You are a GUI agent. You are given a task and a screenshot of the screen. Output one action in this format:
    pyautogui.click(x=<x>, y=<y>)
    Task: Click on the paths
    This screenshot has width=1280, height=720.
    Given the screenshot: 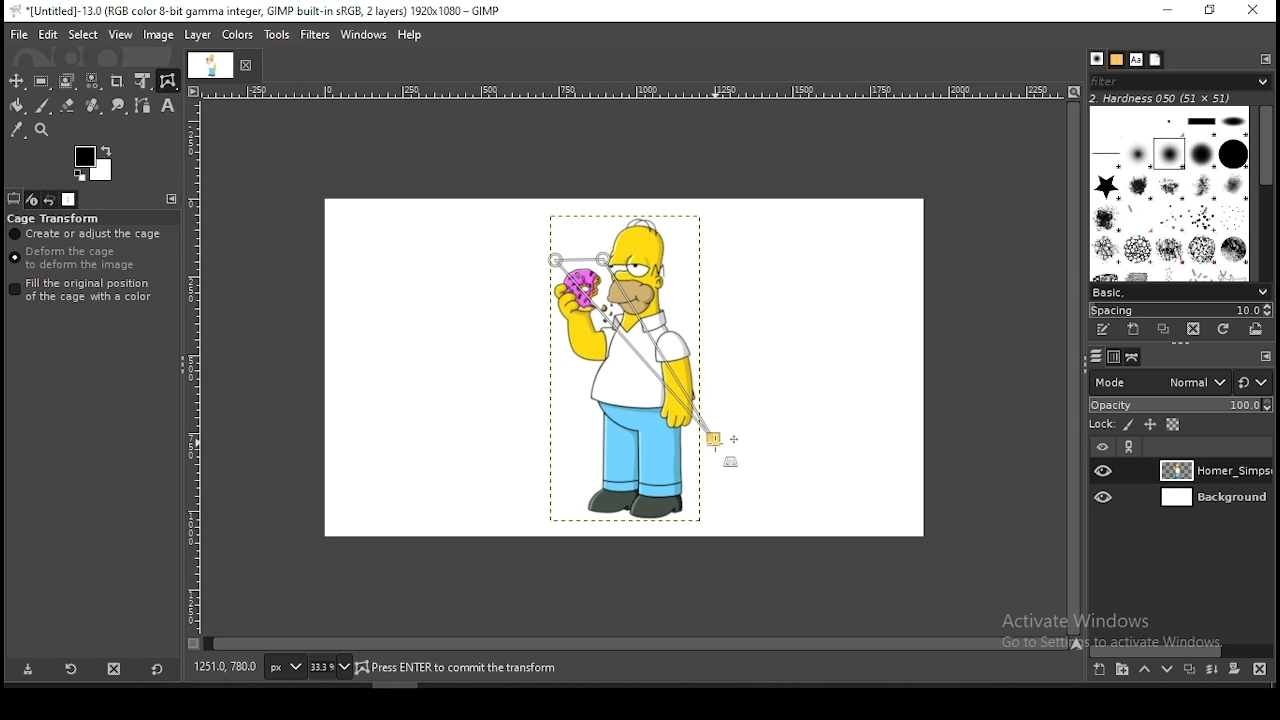 What is the action you would take?
    pyautogui.click(x=1130, y=357)
    